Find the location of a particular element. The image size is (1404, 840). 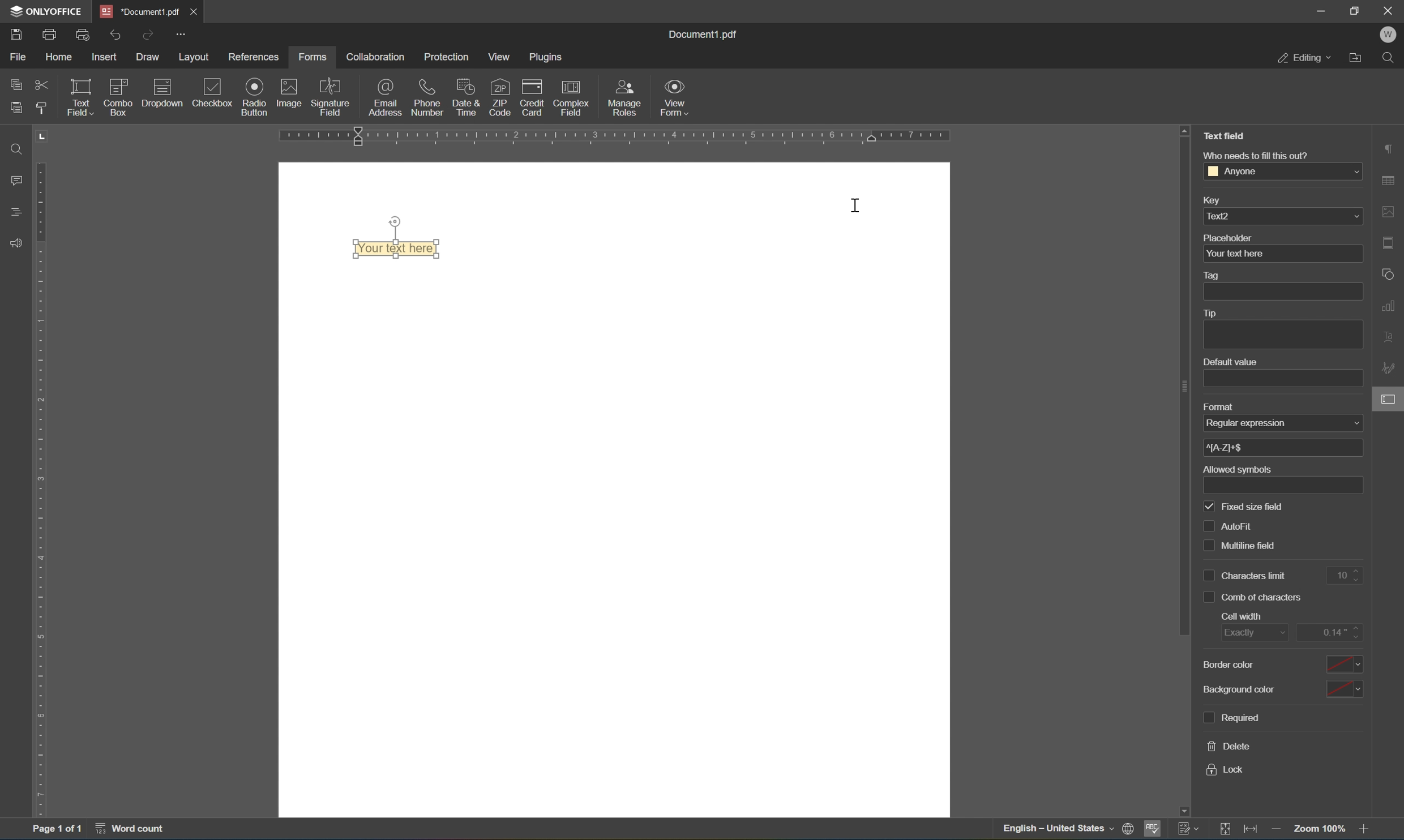

text2 is located at coordinates (1281, 216).